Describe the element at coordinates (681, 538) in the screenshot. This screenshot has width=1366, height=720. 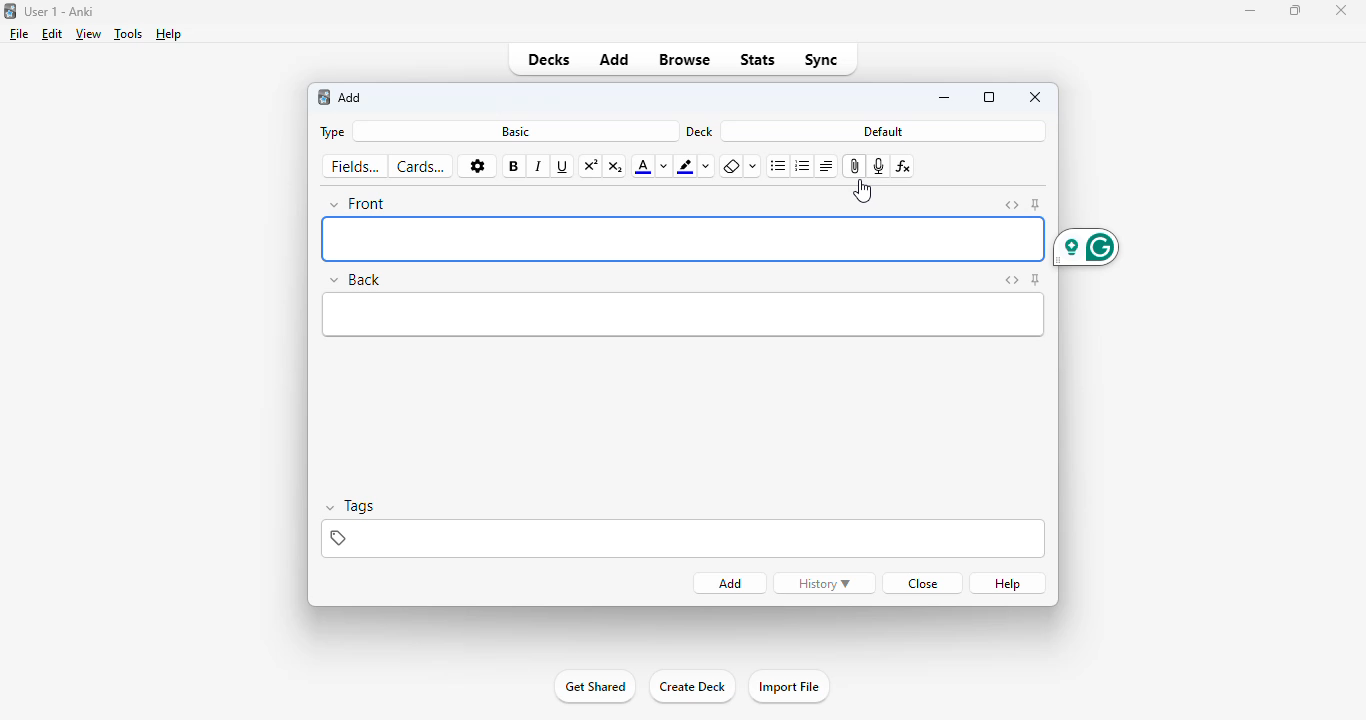
I see `add tags` at that location.